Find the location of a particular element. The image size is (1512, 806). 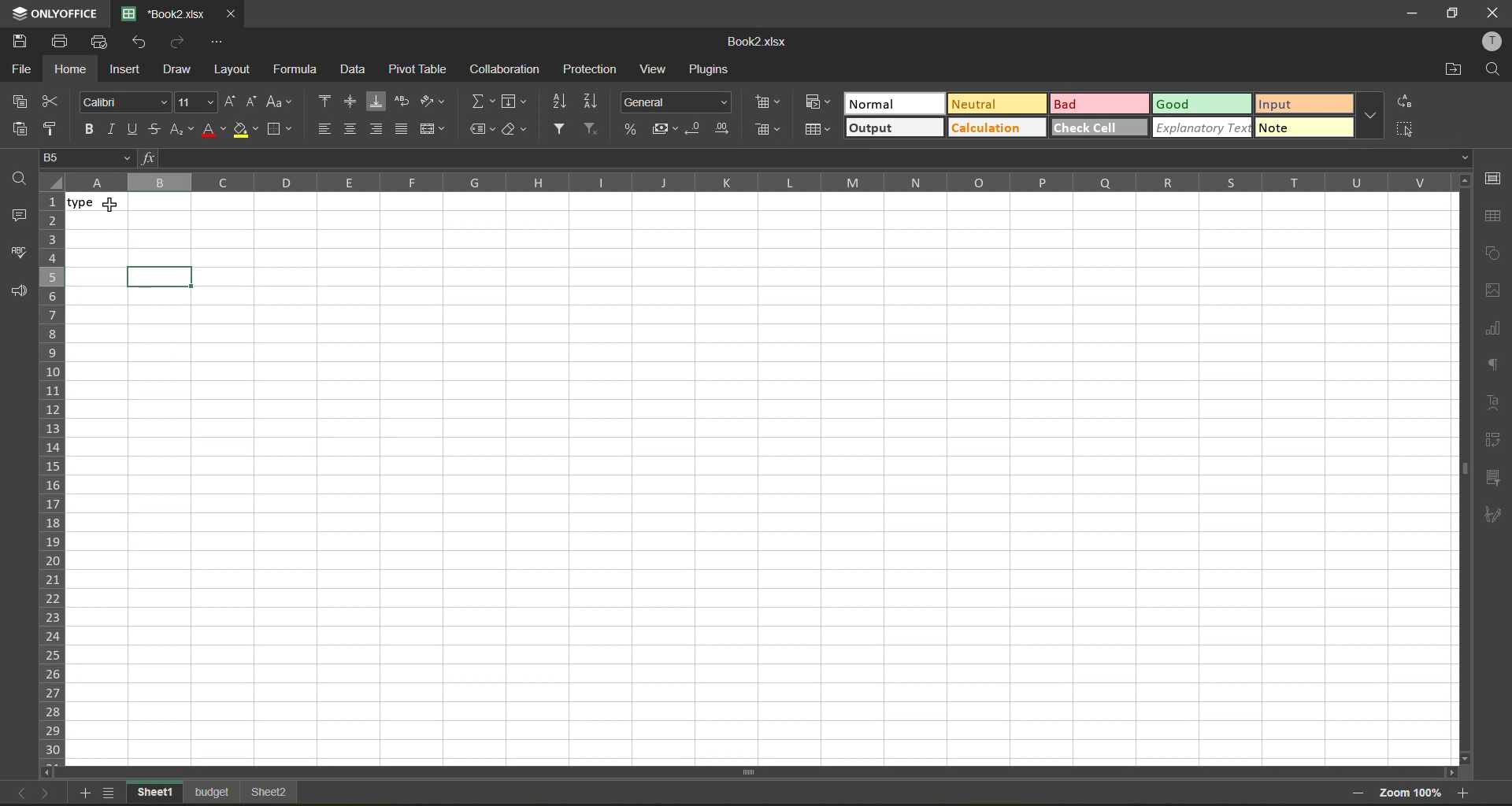

move up is located at coordinates (1464, 181).